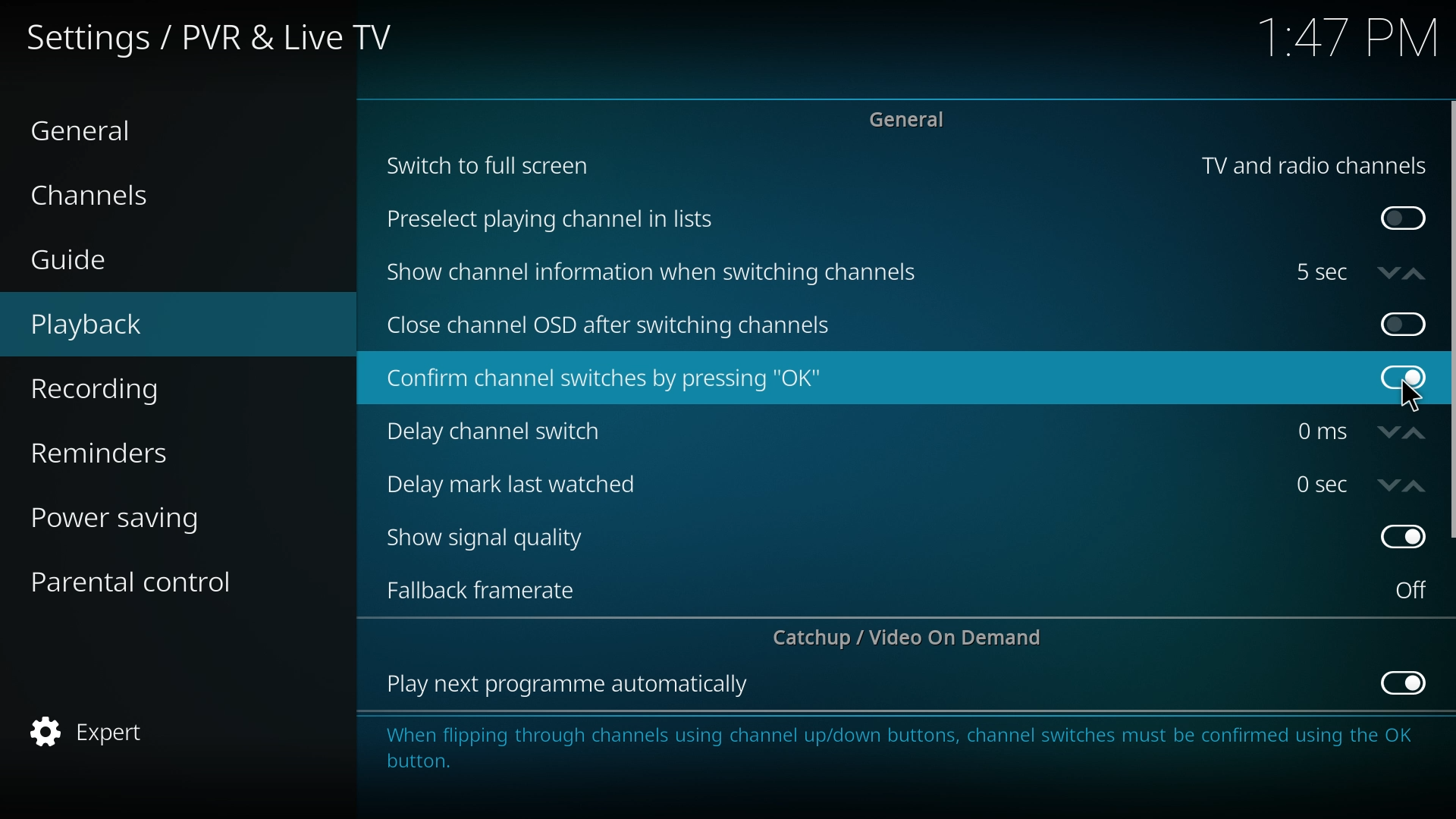  What do you see at coordinates (496, 538) in the screenshot?
I see `show signal quality` at bounding box center [496, 538].